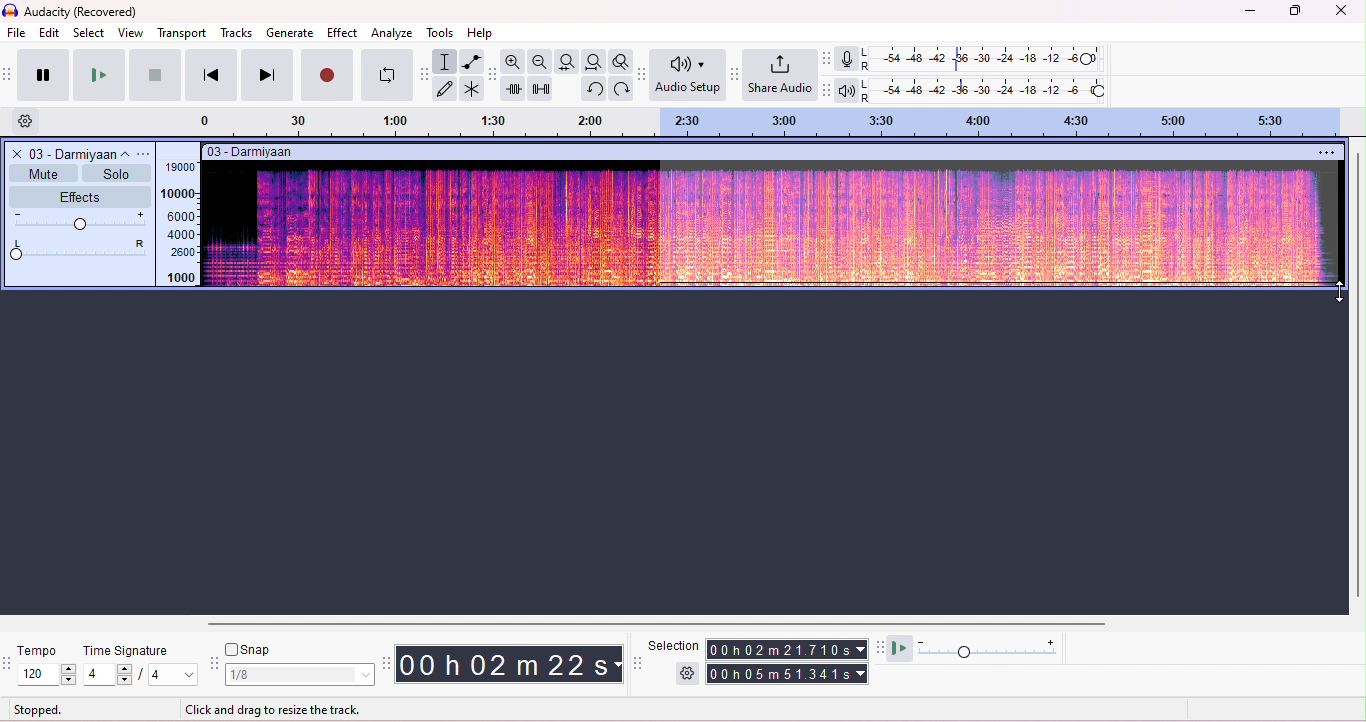  Describe the element at coordinates (273, 709) in the screenshot. I see `Click and drag to resize the track.` at that location.